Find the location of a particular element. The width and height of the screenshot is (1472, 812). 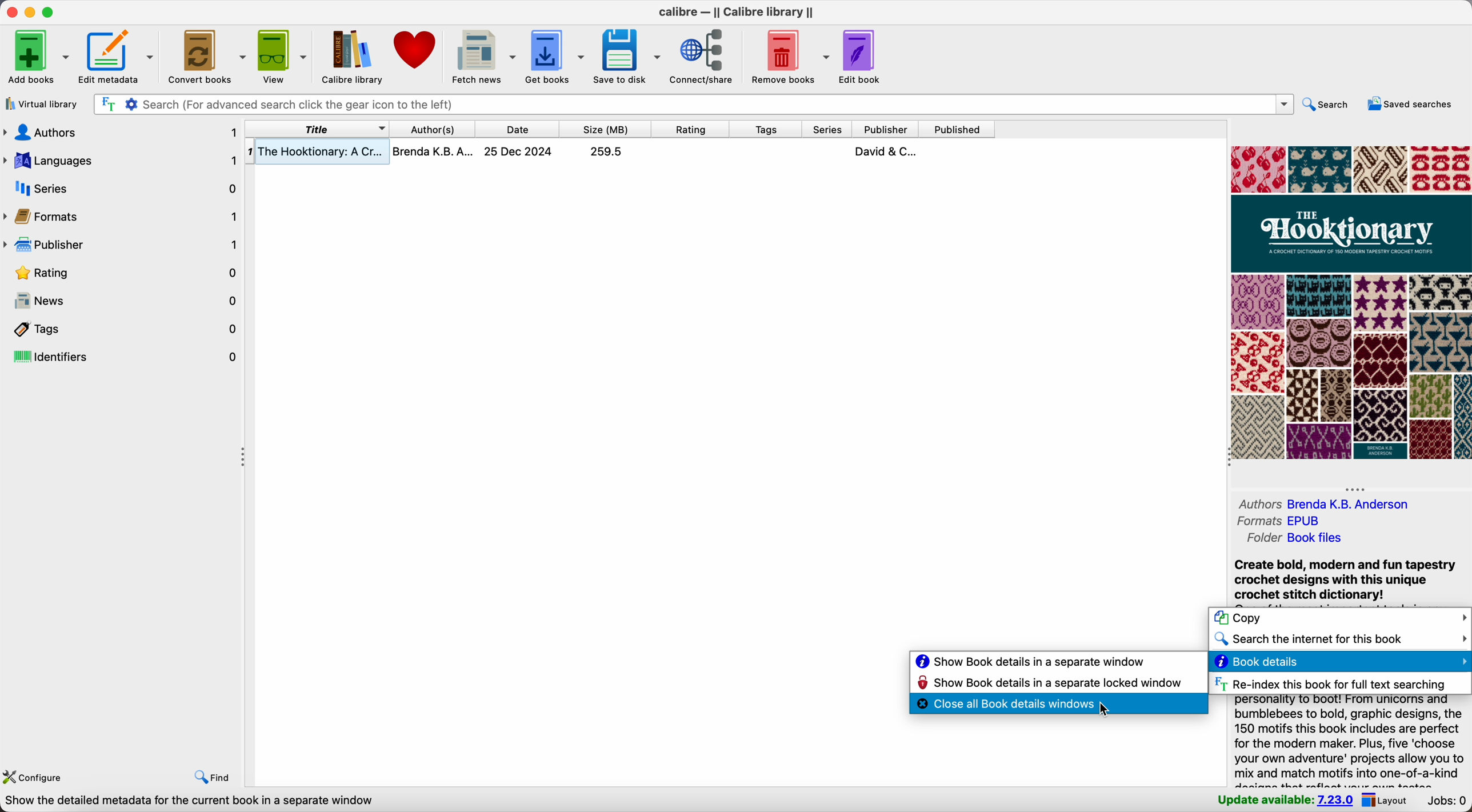

show book details in a separate locked window is located at coordinates (1051, 685).